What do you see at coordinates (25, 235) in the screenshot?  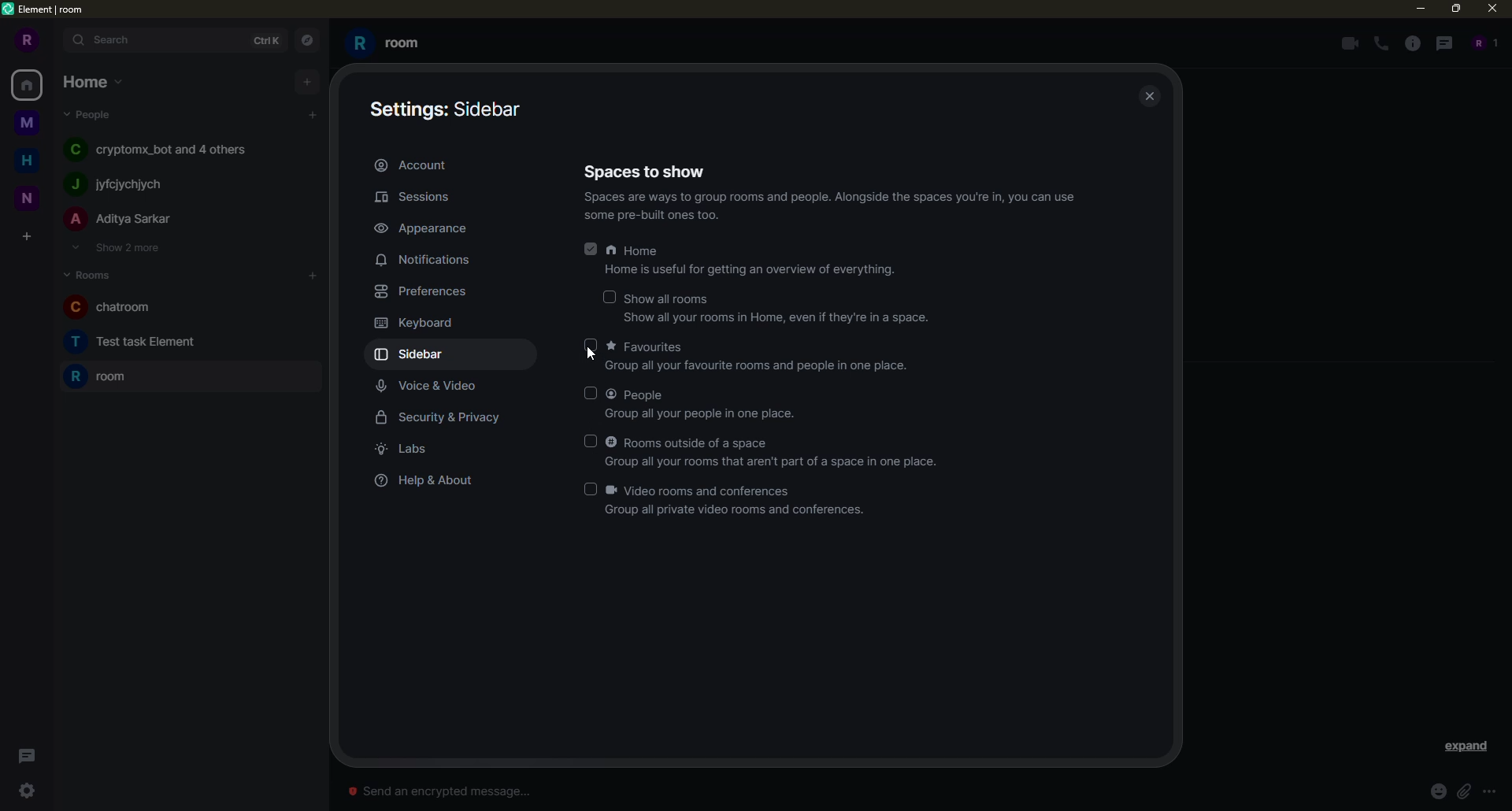 I see `create space` at bounding box center [25, 235].